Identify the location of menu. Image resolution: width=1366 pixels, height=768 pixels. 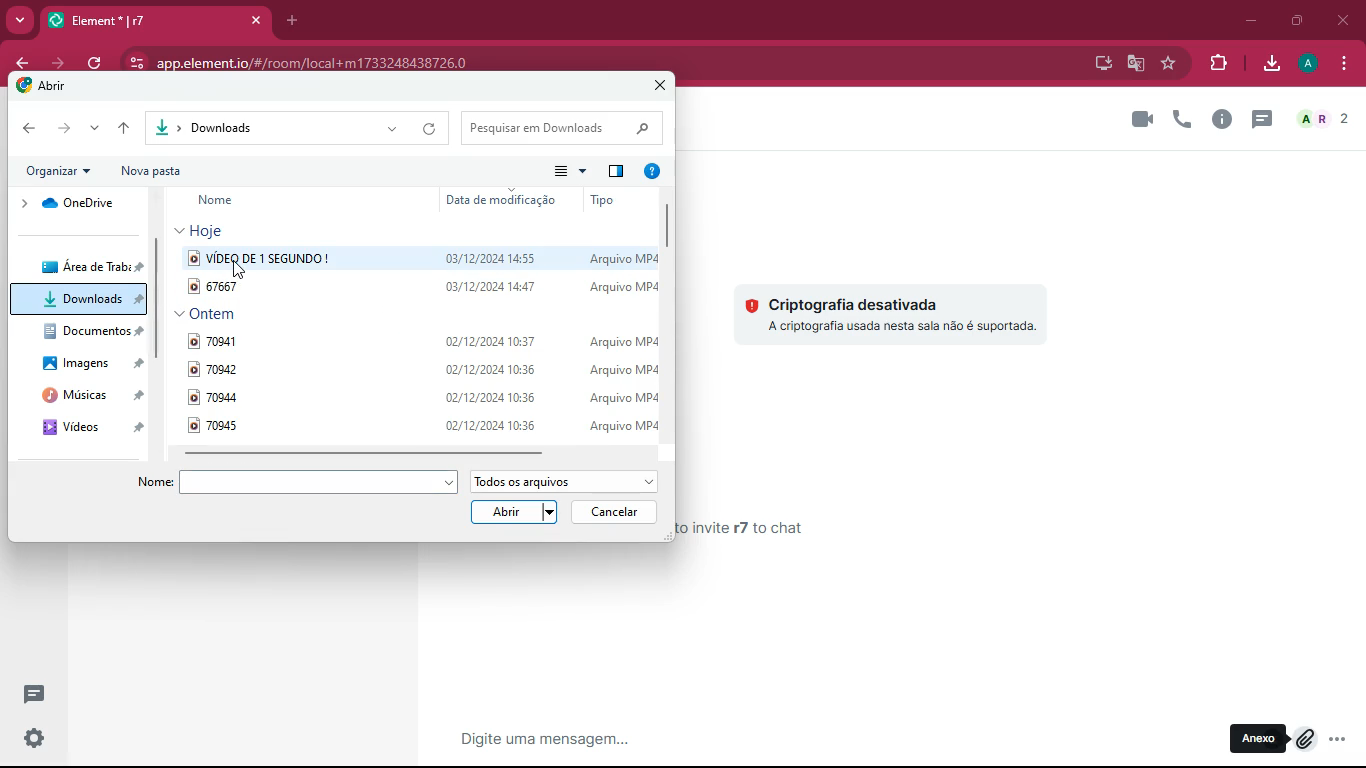
(573, 171).